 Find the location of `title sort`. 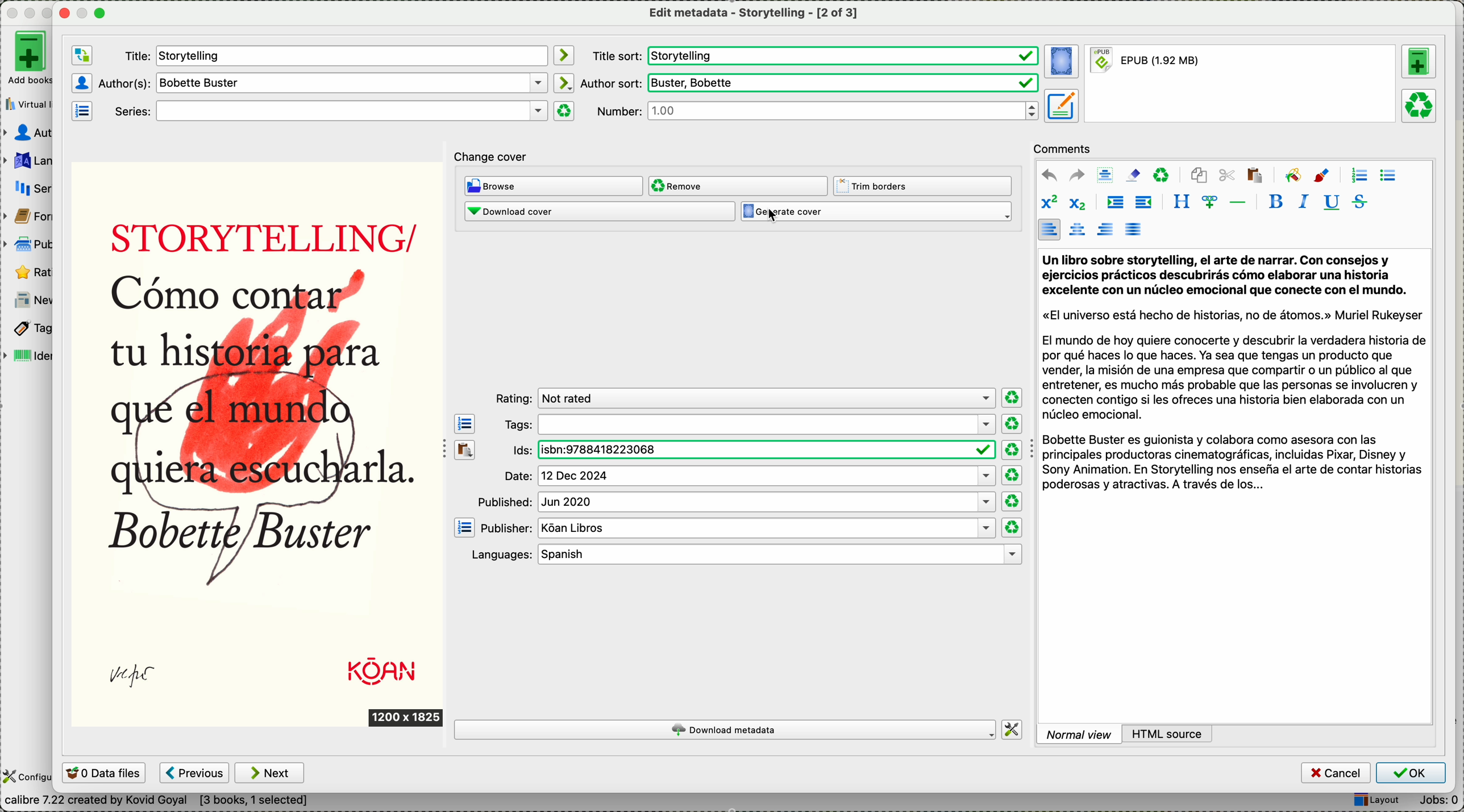

title sort is located at coordinates (816, 55).